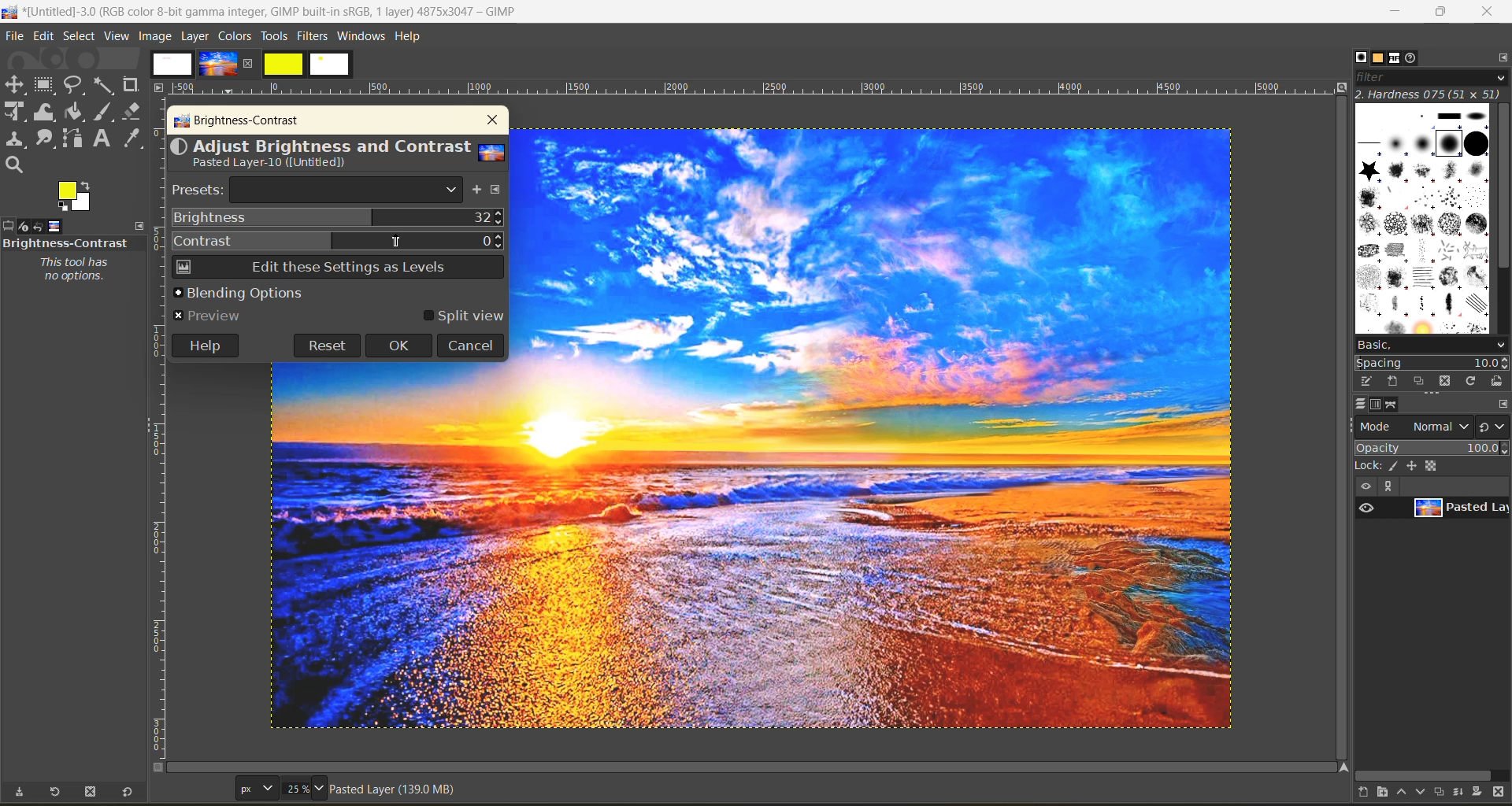 This screenshot has width=1512, height=806. I want to click on opacity, so click(1432, 447).